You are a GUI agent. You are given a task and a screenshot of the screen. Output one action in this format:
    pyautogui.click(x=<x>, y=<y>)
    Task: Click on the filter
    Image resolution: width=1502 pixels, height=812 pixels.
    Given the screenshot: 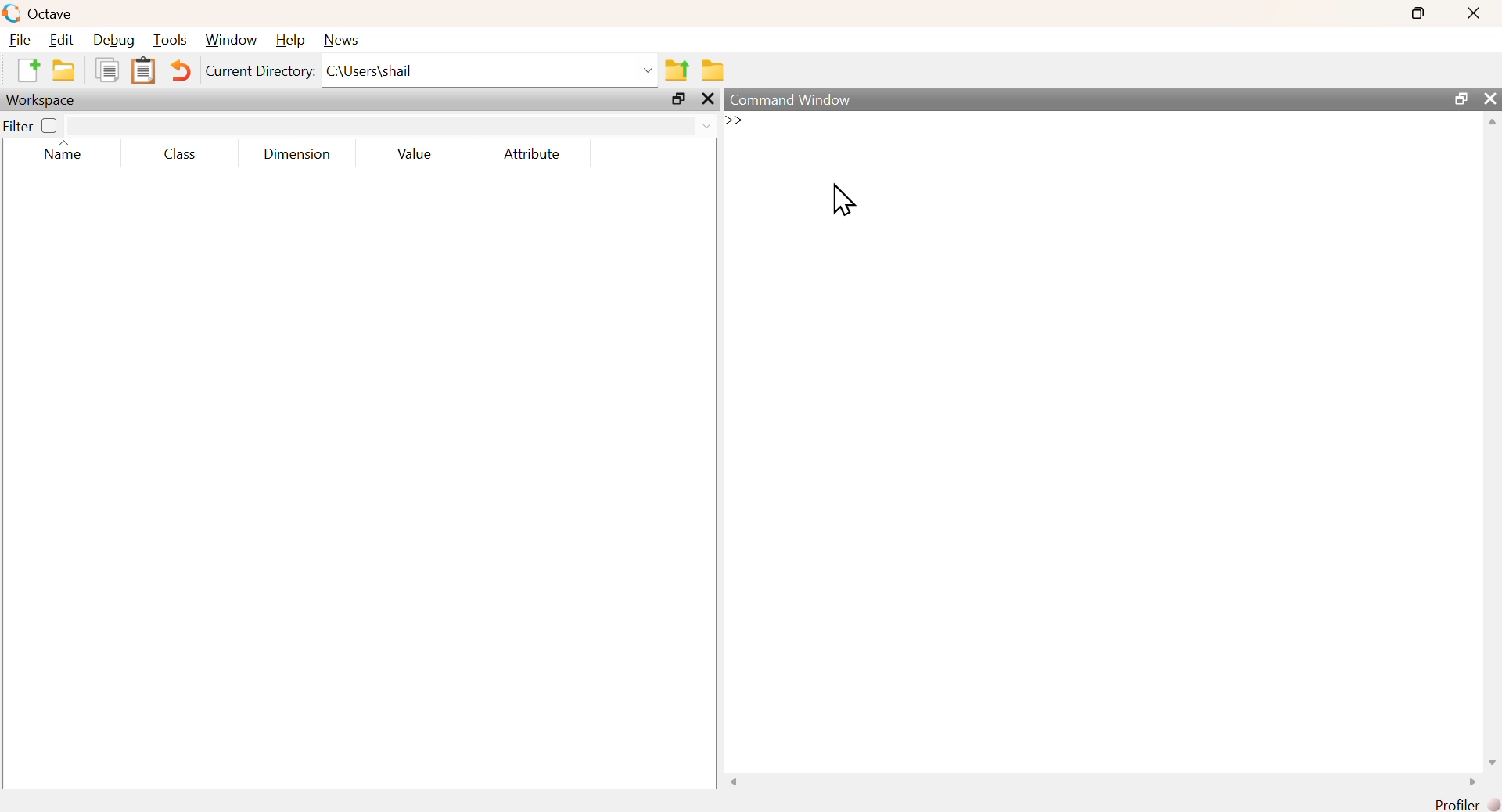 What is the action you would take?
    pyautogui.click(x=18, y=127)
    